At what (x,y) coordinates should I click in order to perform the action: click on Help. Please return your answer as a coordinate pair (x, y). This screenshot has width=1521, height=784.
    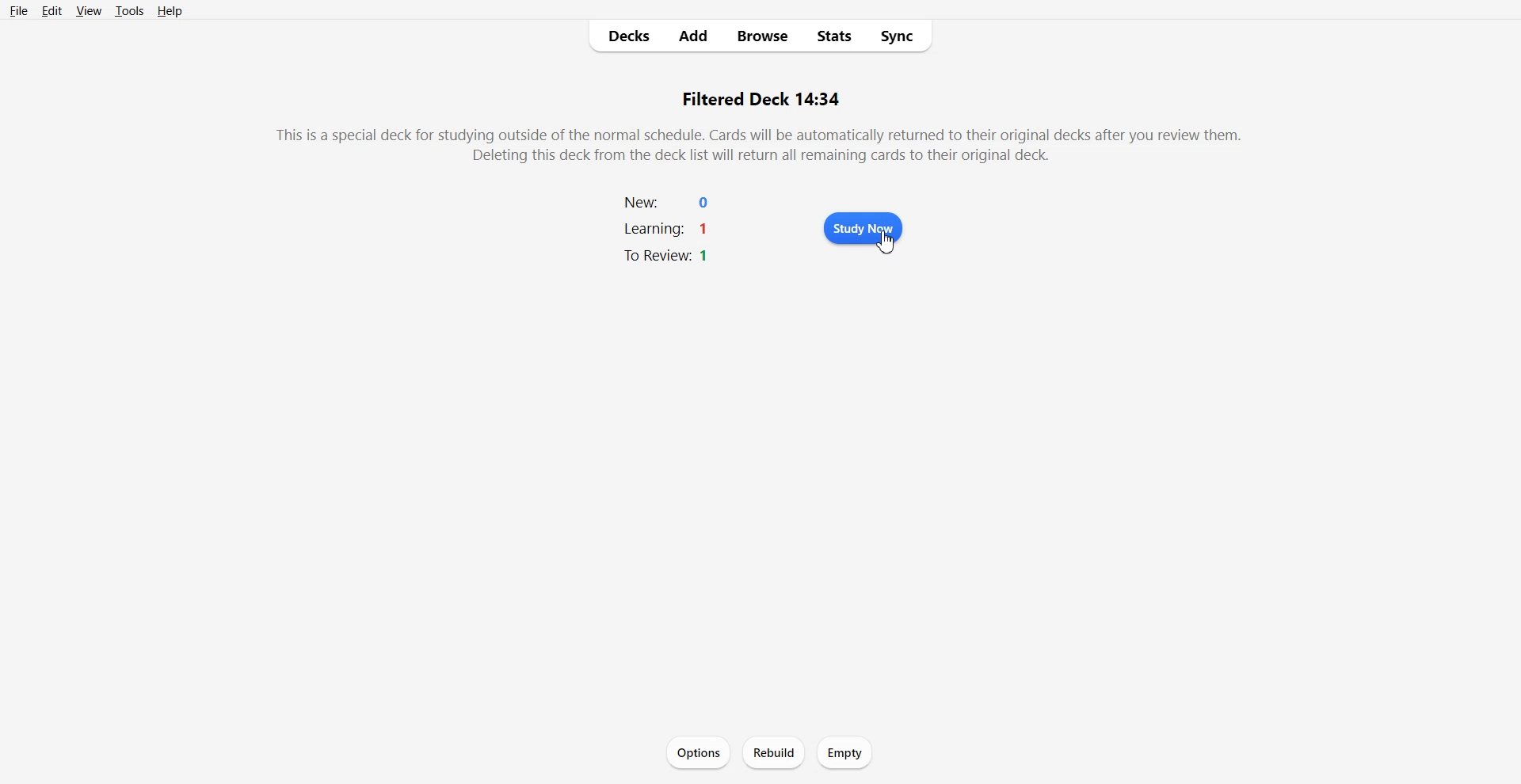
    Looking at the image, I should click on (169, 10).